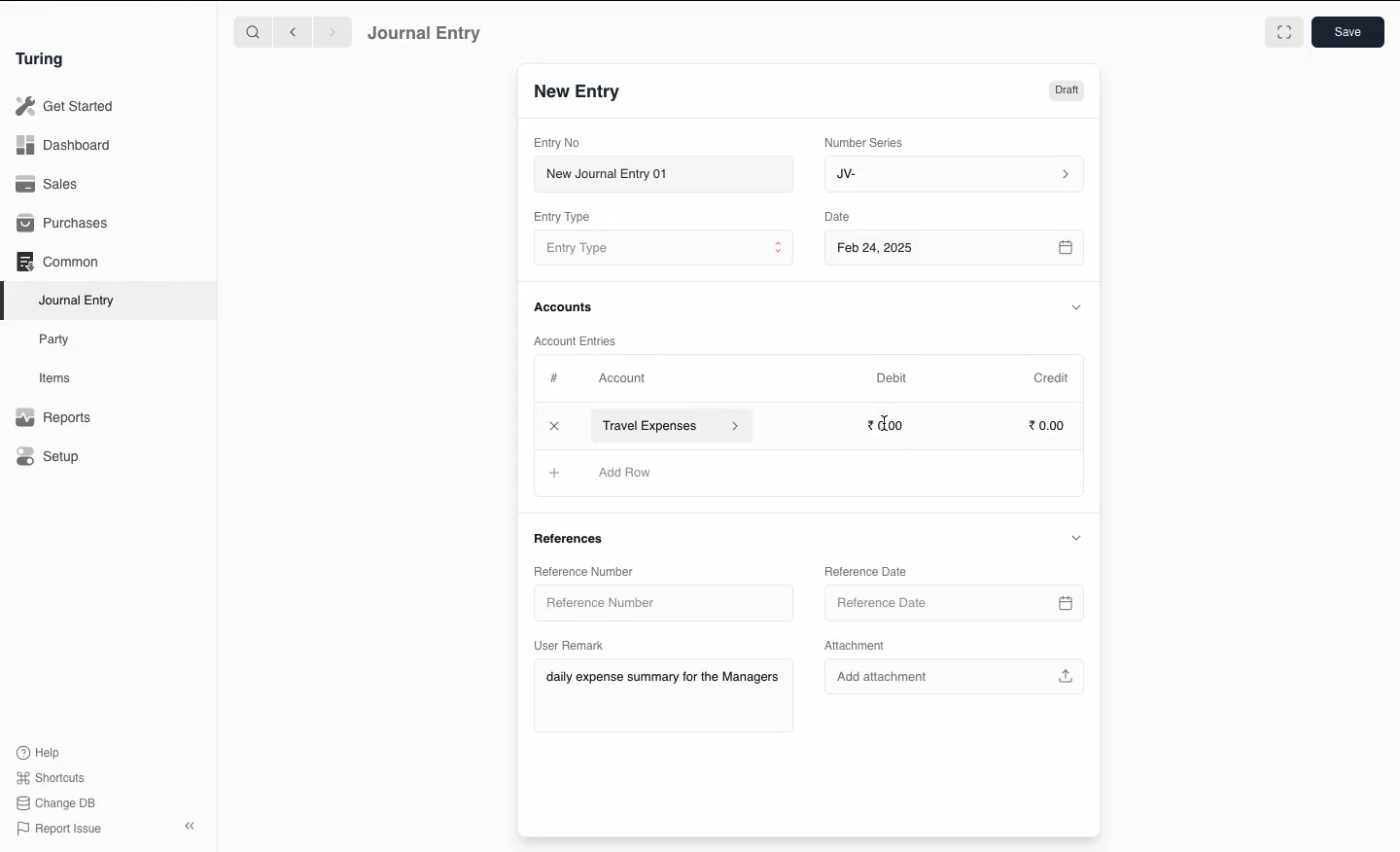 This screenshot has width=1400, height=852. I want to click on Get Started, so click(66, 107).